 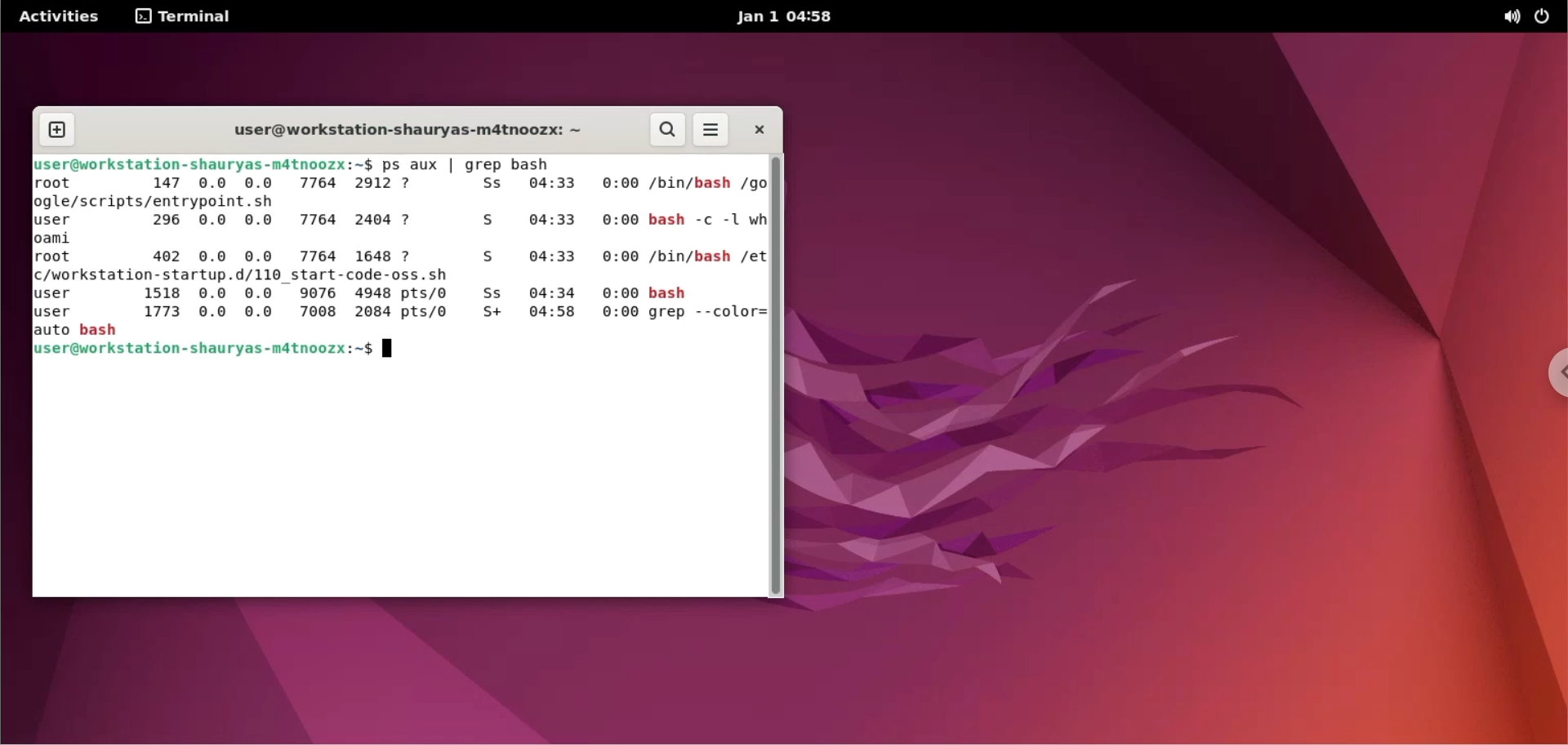 I want to click on more options, so click(x=712, y=131).